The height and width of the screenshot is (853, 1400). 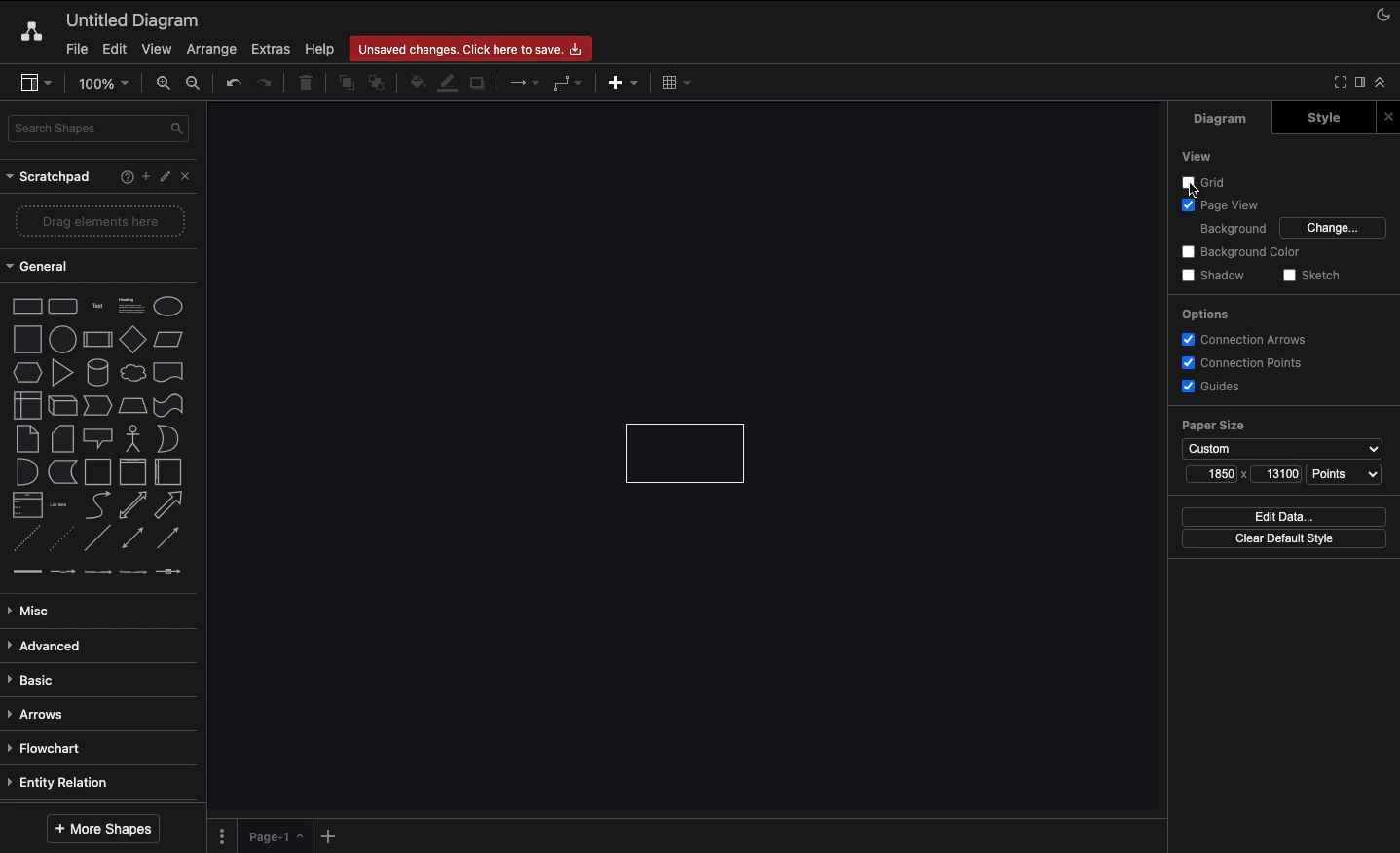 What do you see at coordinates (1217, 277) in the screenshot?
I see `Shadow` at bounding box center [1217, 277].